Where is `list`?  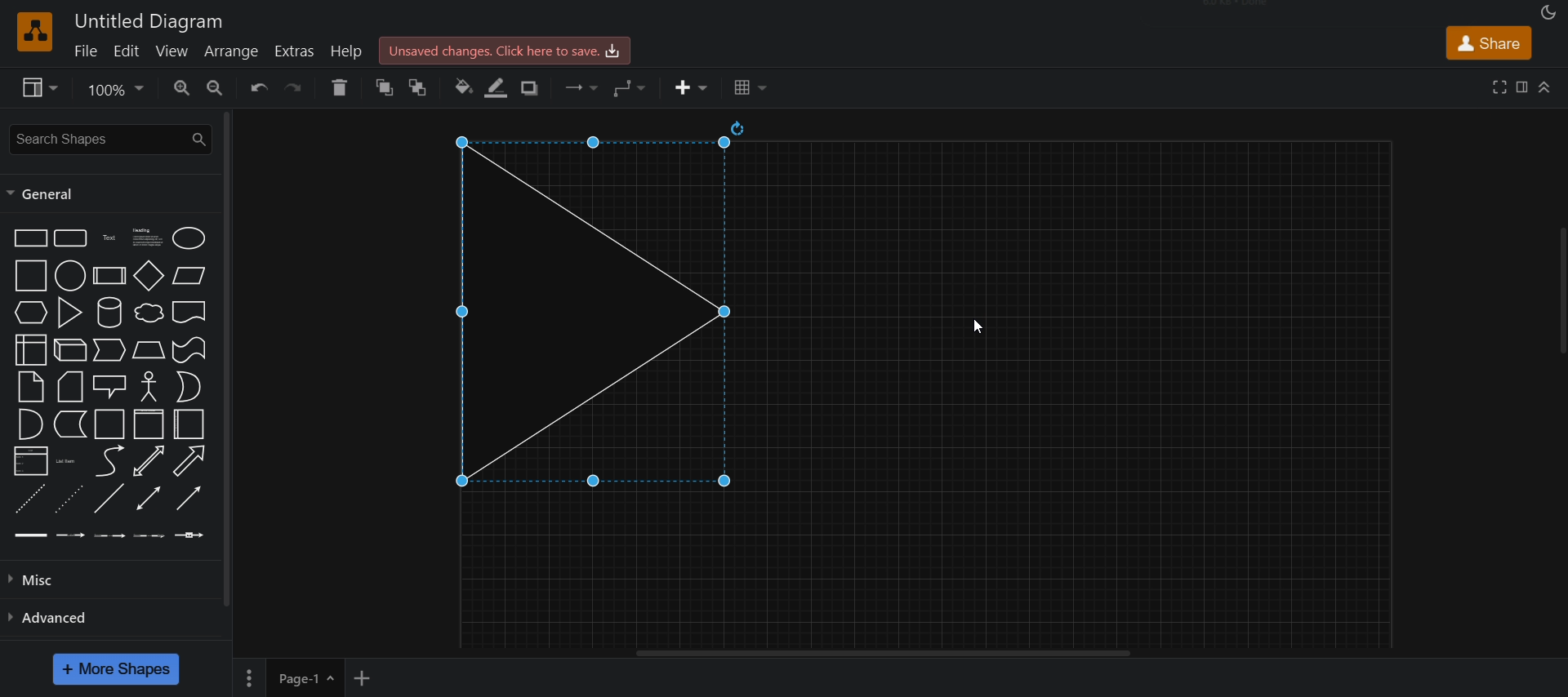
list is located at coordinates (31, 461).